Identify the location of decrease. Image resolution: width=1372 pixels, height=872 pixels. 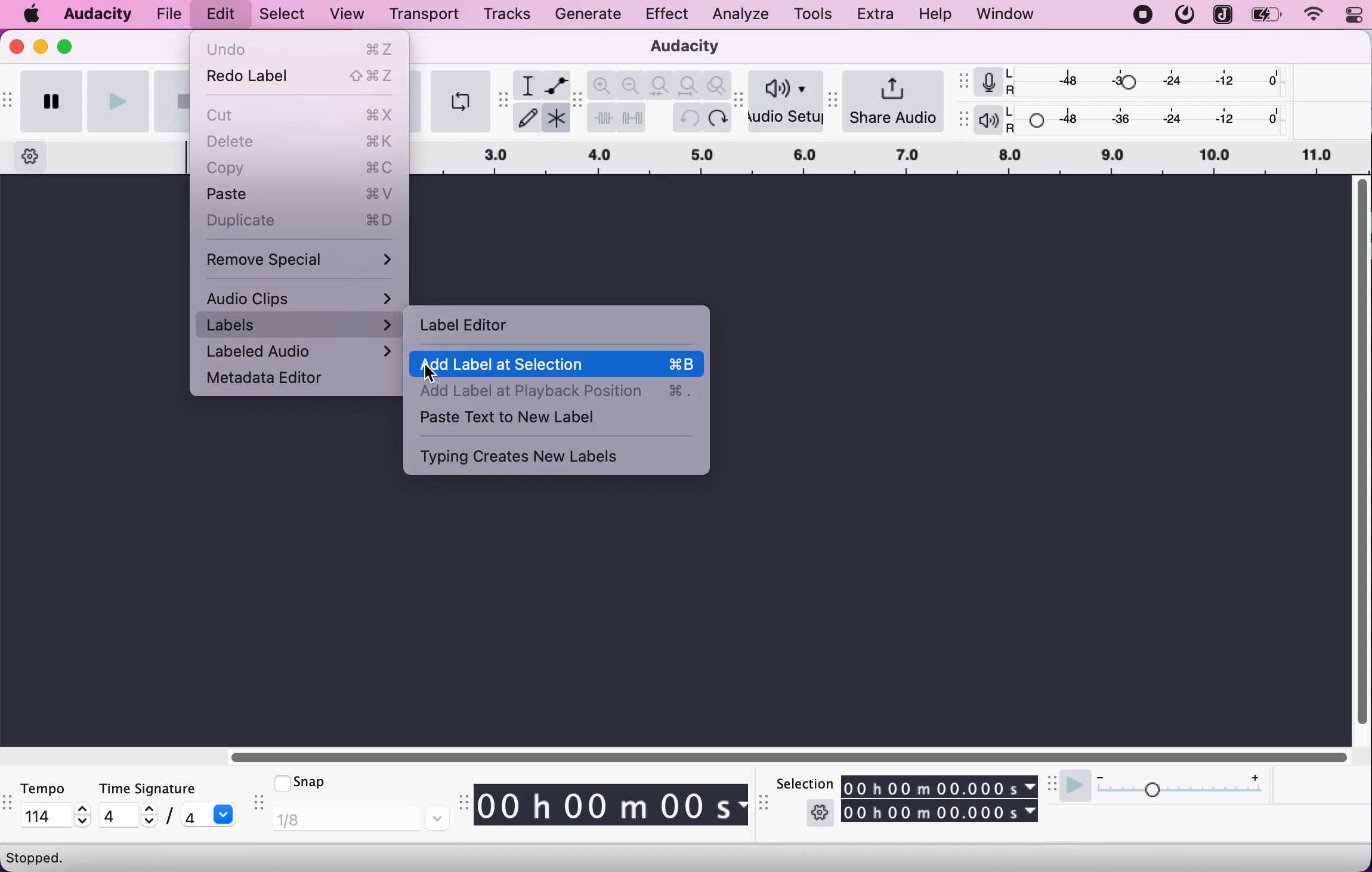
(1100, 774).